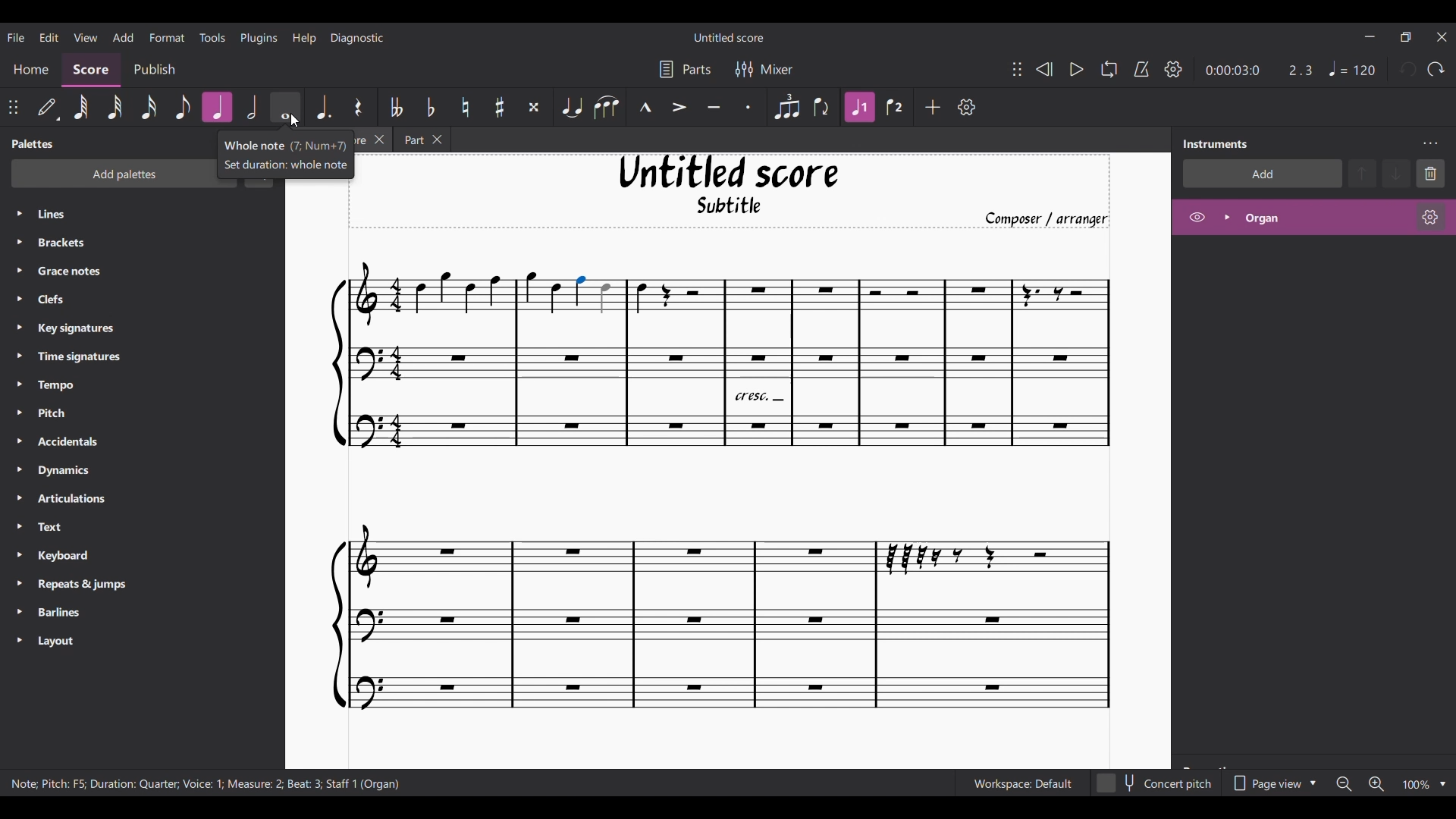 The height and width of the screenshot is (819, 1456). What do you see at coordinates (322, 106) in the screenshot?
I see `Augmentation dot` at bounding box center [322, 106].